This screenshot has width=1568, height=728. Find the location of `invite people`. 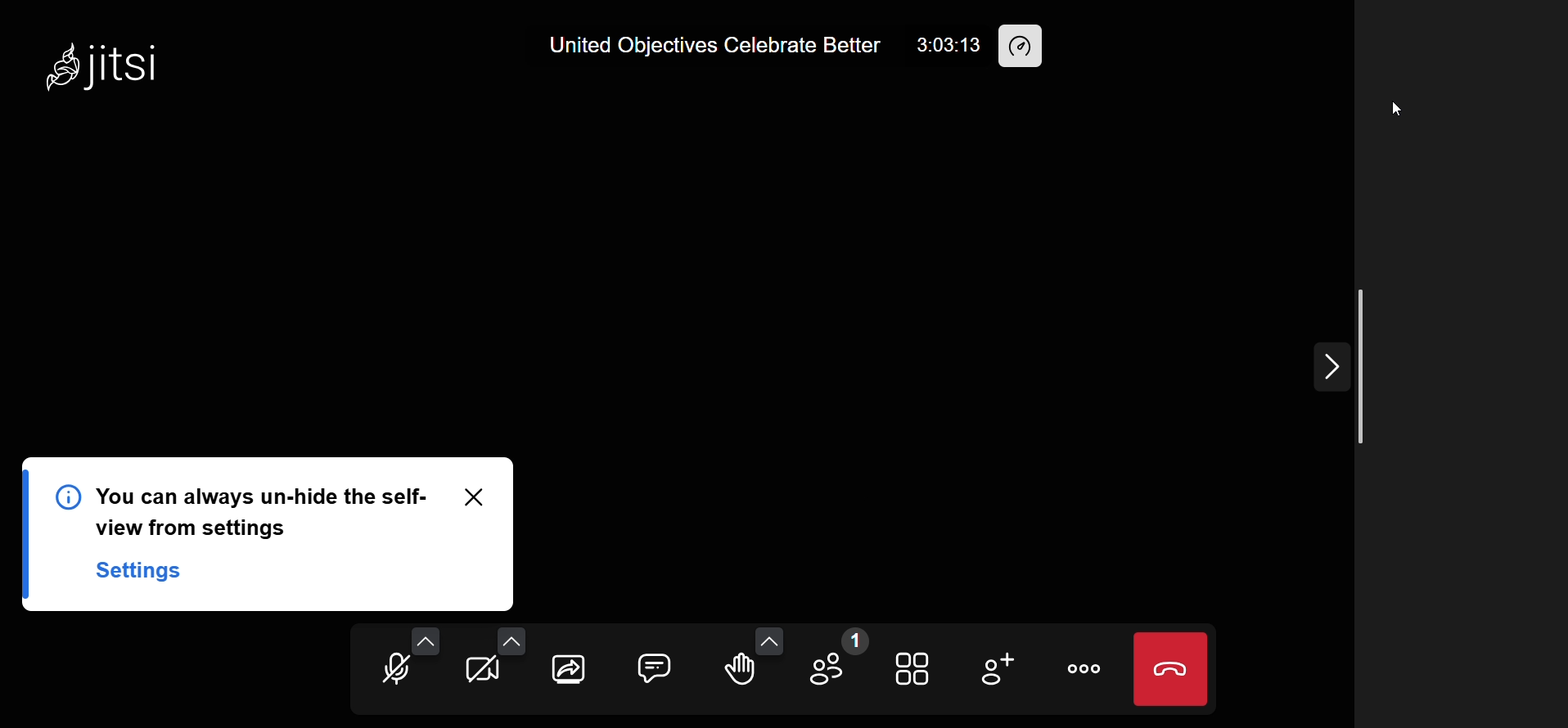

invite people is located at coordinates (998, 668).